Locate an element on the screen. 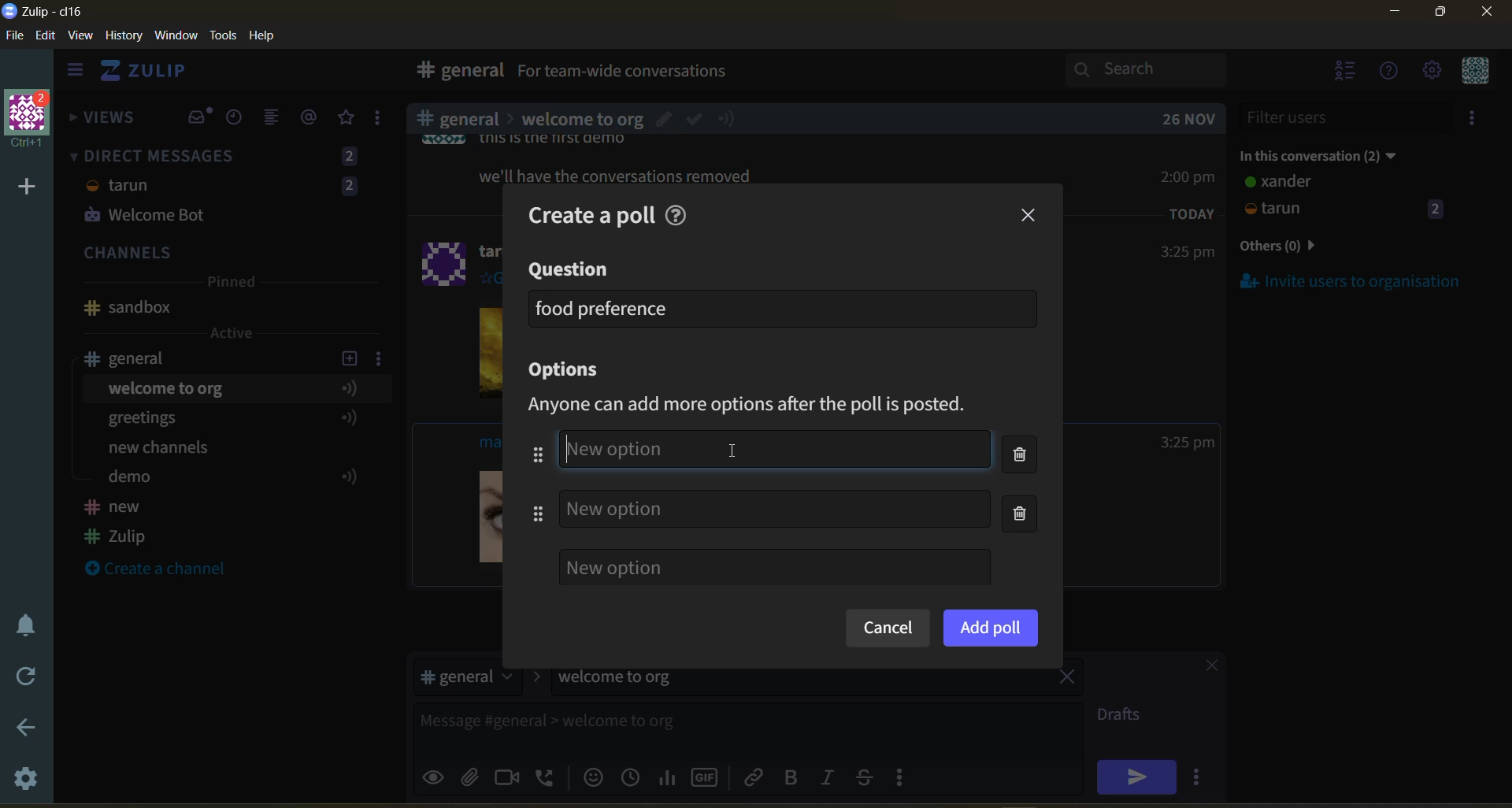 This screenshot has width=1512, height=808. edit is located at coordinates (46, 37).